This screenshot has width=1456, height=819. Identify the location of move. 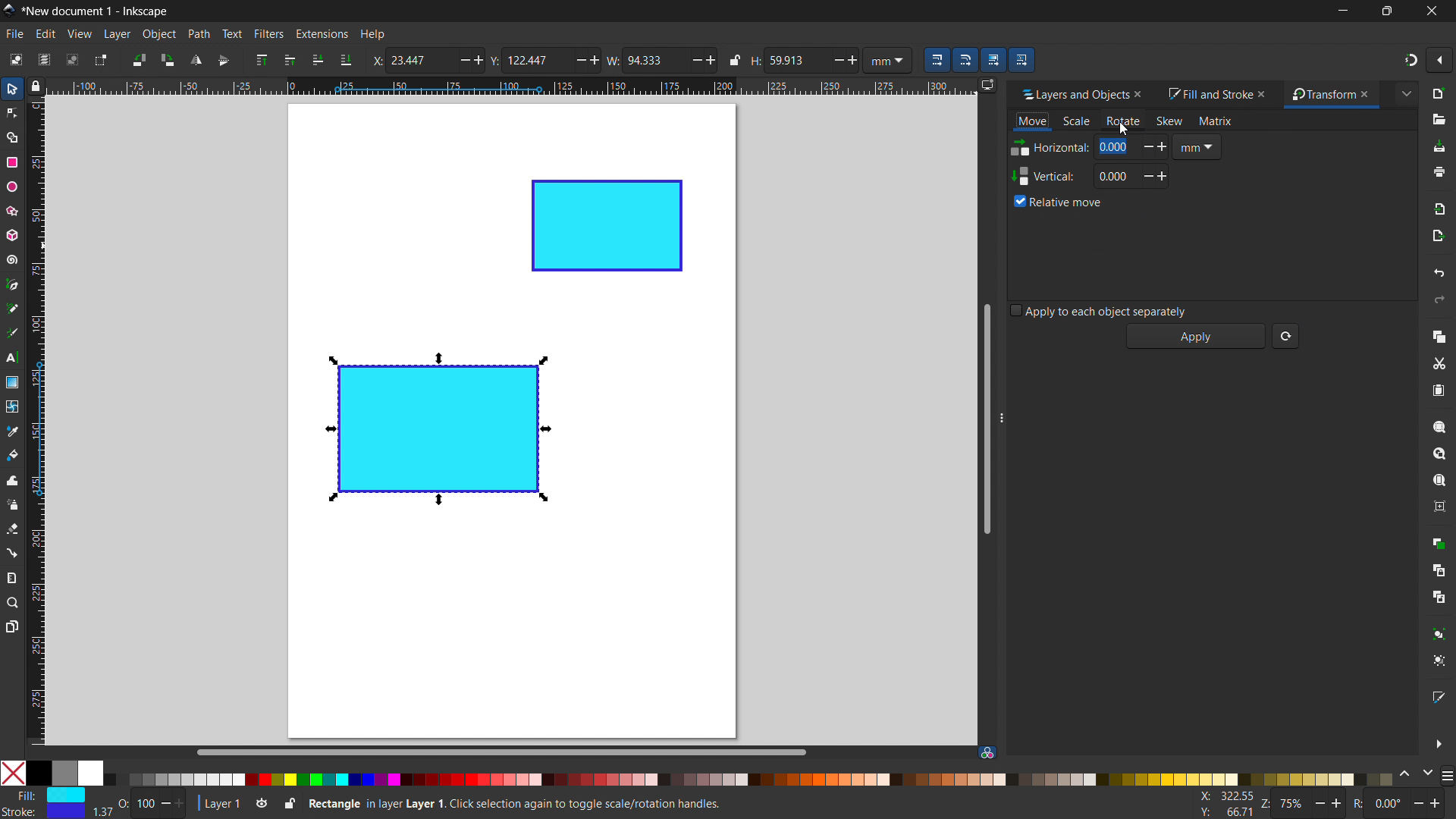
(1033, 122).